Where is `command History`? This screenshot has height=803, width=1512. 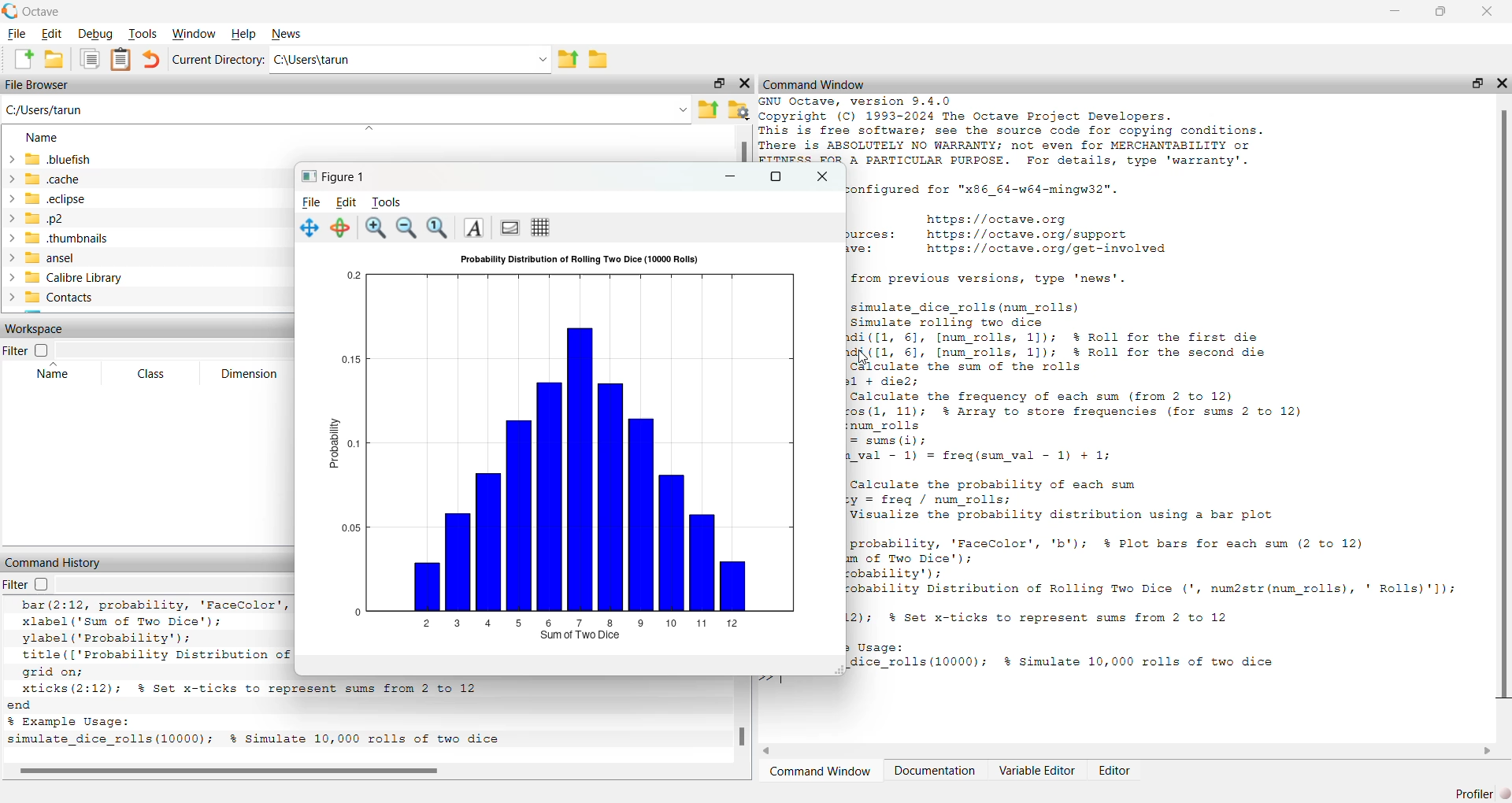
command History is located at coordinates (56, 563).